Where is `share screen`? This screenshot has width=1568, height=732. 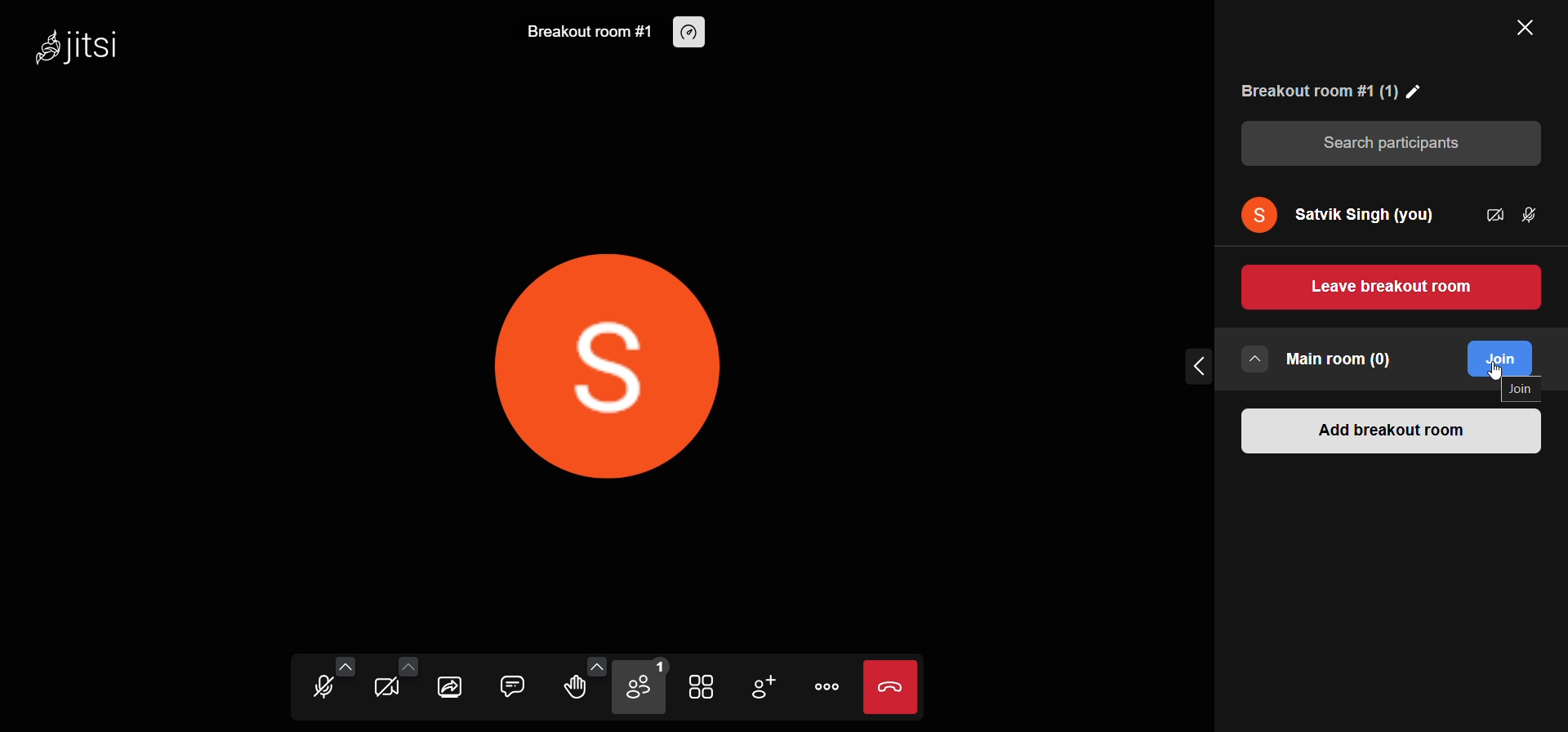 share screen is located at coordinates (452, 687).